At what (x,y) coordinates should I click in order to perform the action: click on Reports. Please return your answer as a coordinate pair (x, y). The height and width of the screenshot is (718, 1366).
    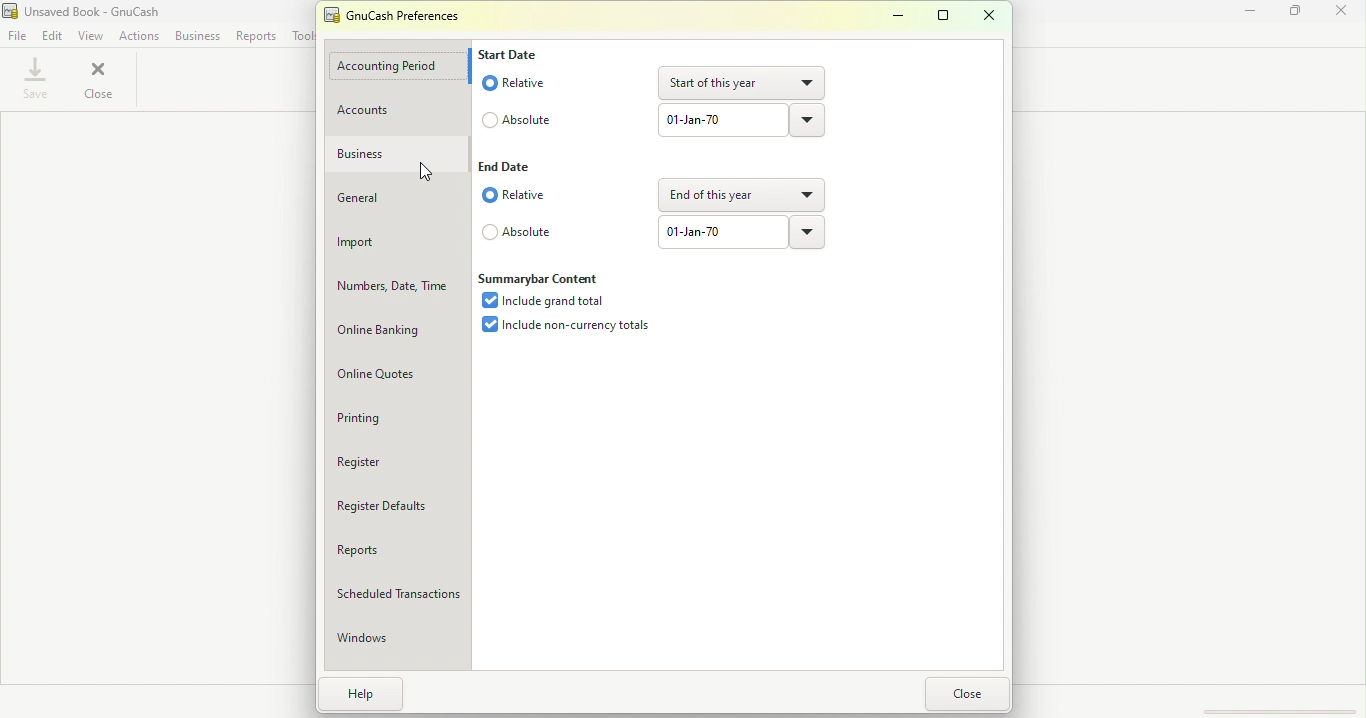
    Looking at the image, I should click on (256, 35).